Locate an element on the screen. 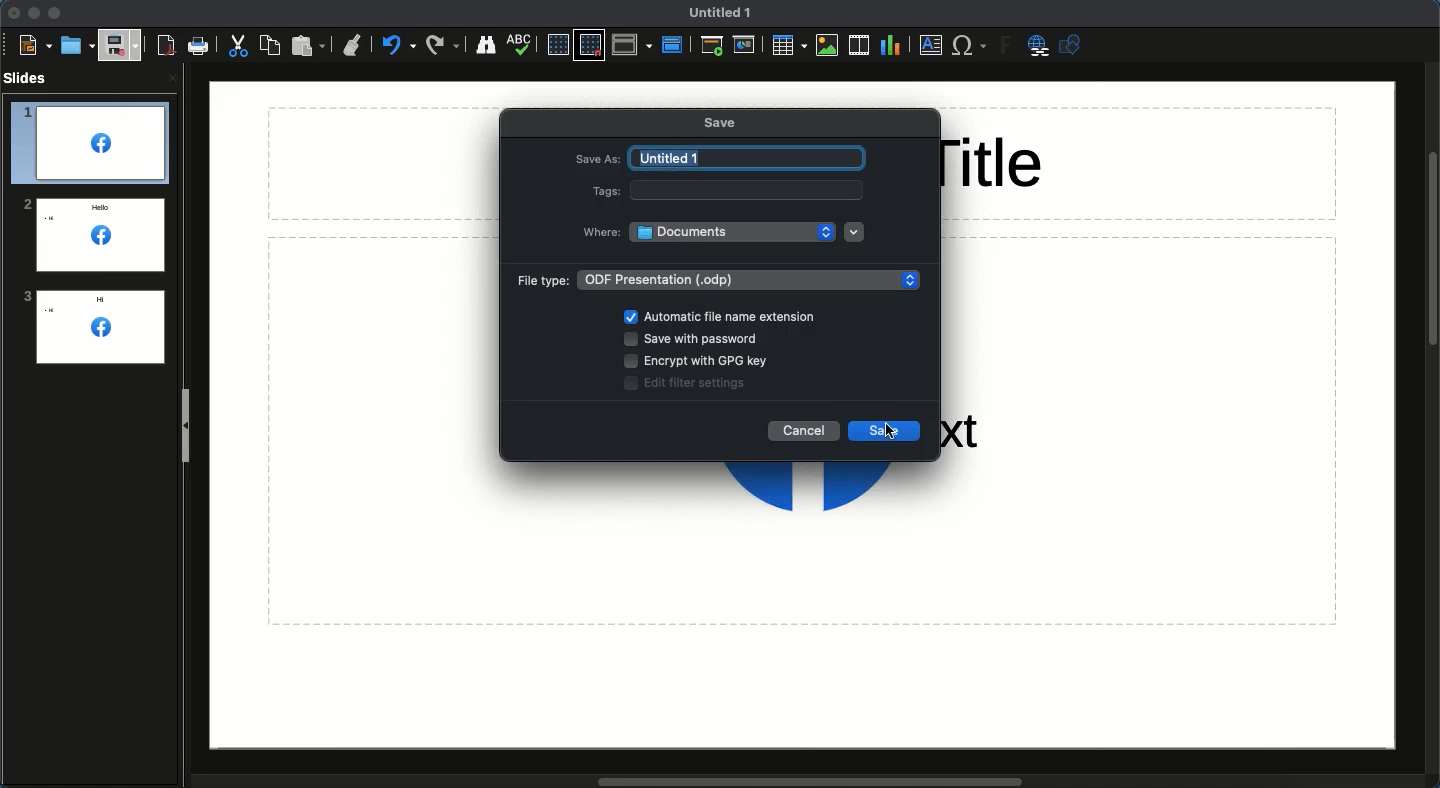  Master slide is located at coordinates (675, 40).